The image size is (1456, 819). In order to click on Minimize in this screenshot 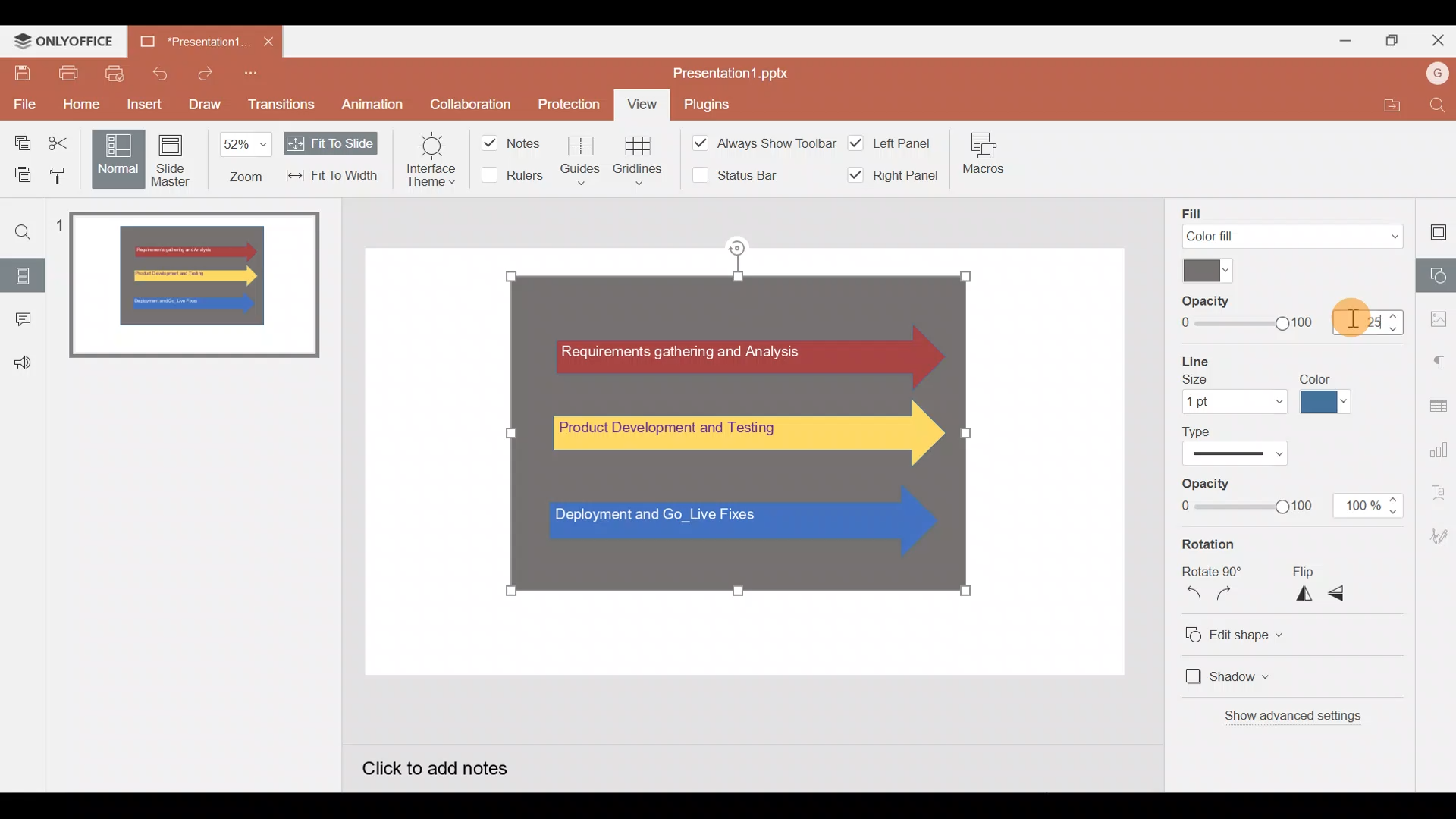, I will do `click(1343, 42)`.